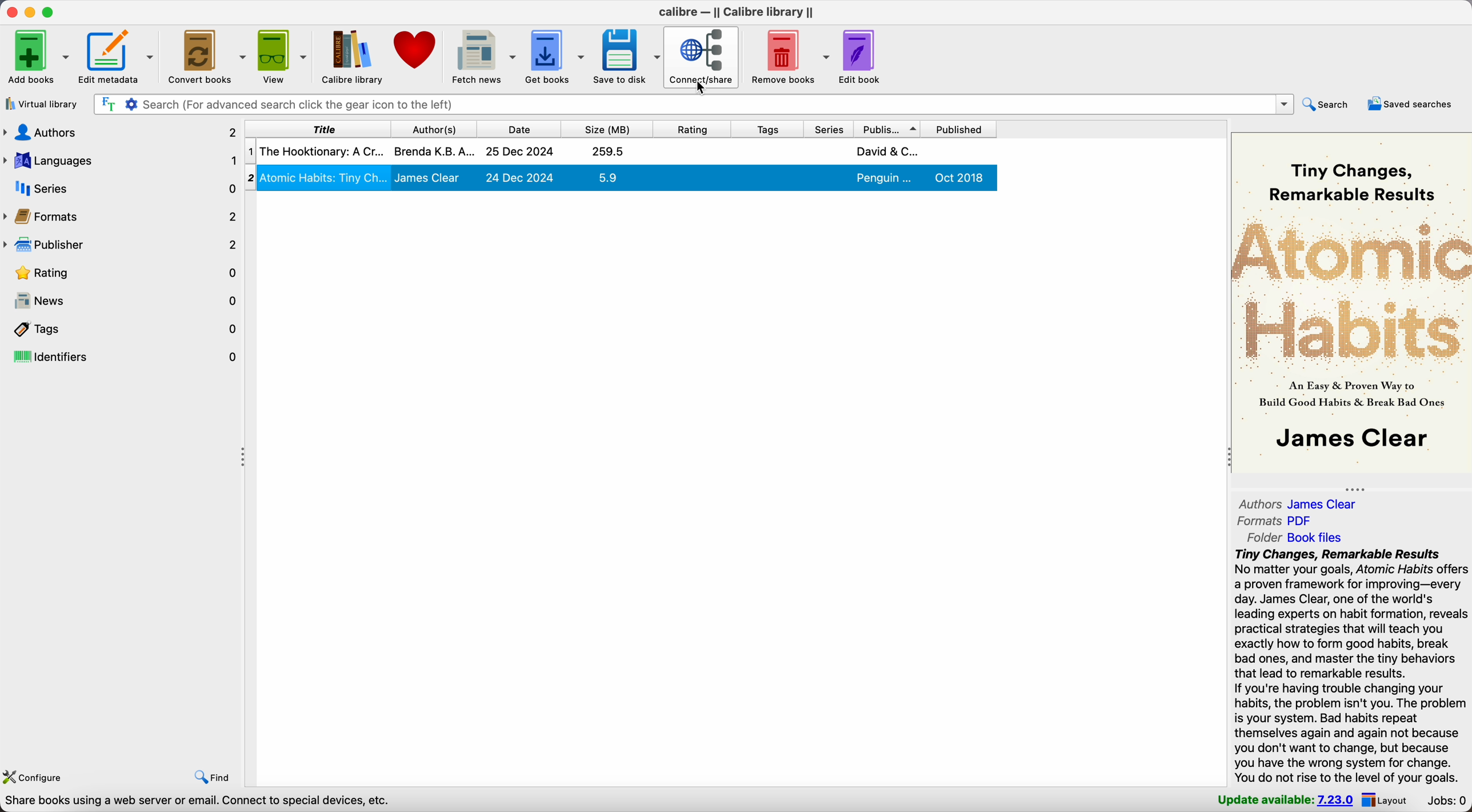  What do you see at coordinates (431, 128) in the screenshot?
I see `author(s)` at bounding box center [431, 128].